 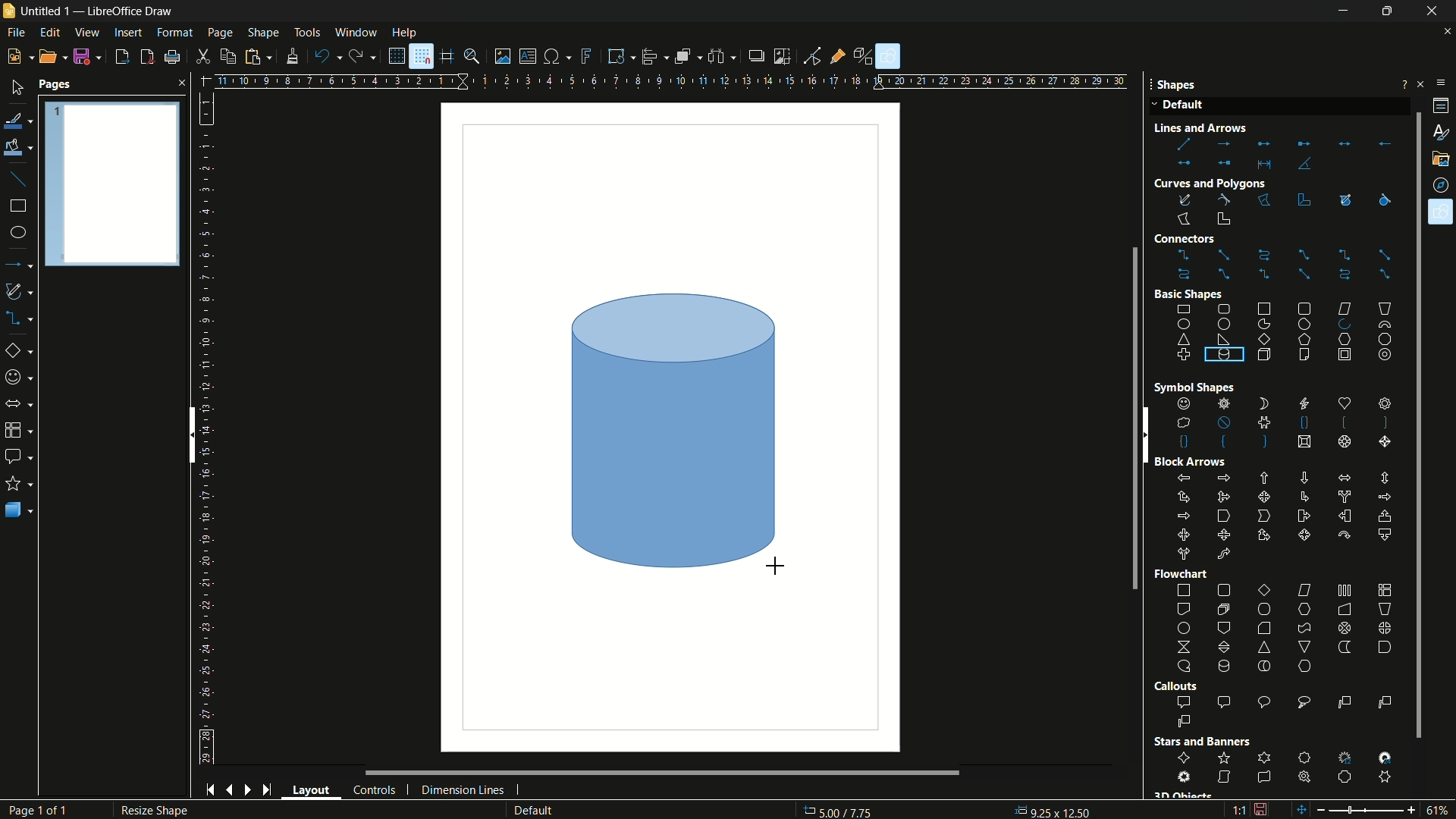 What do you see at coordinates (403, 33) in the screenshot?
I see `help menu` at bounding box center [403, 33].